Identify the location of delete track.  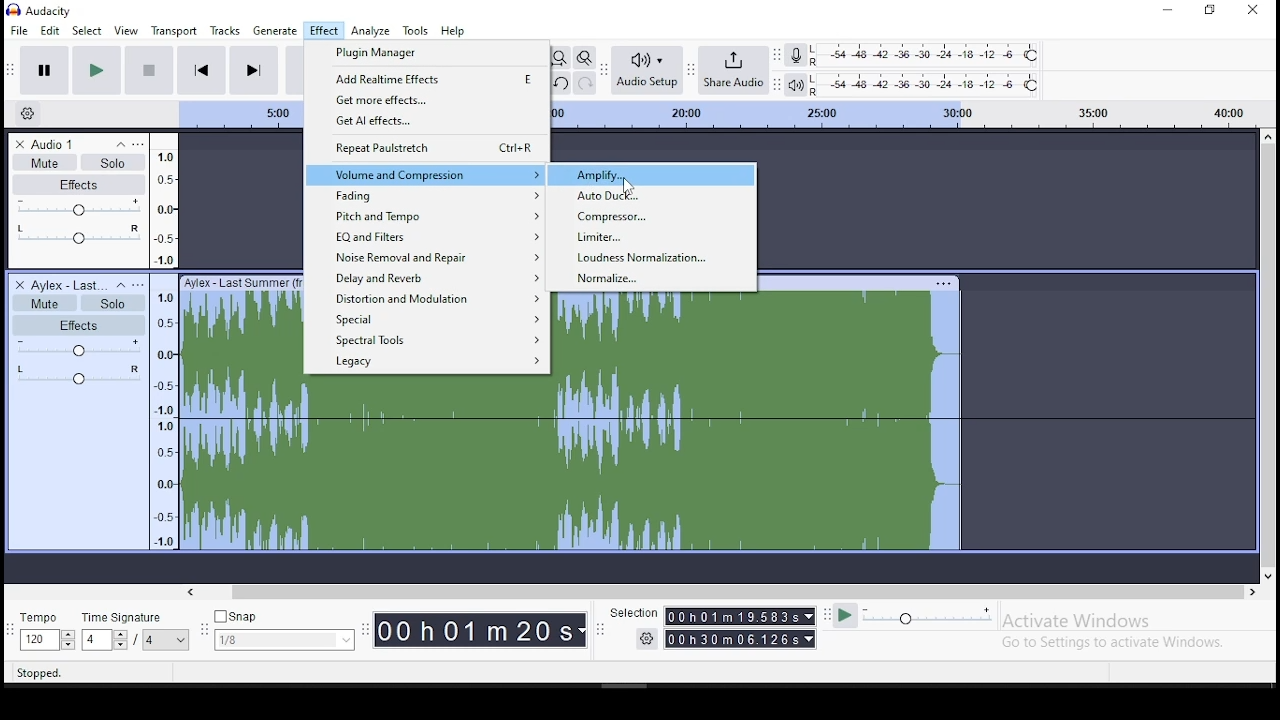
(21, 143).